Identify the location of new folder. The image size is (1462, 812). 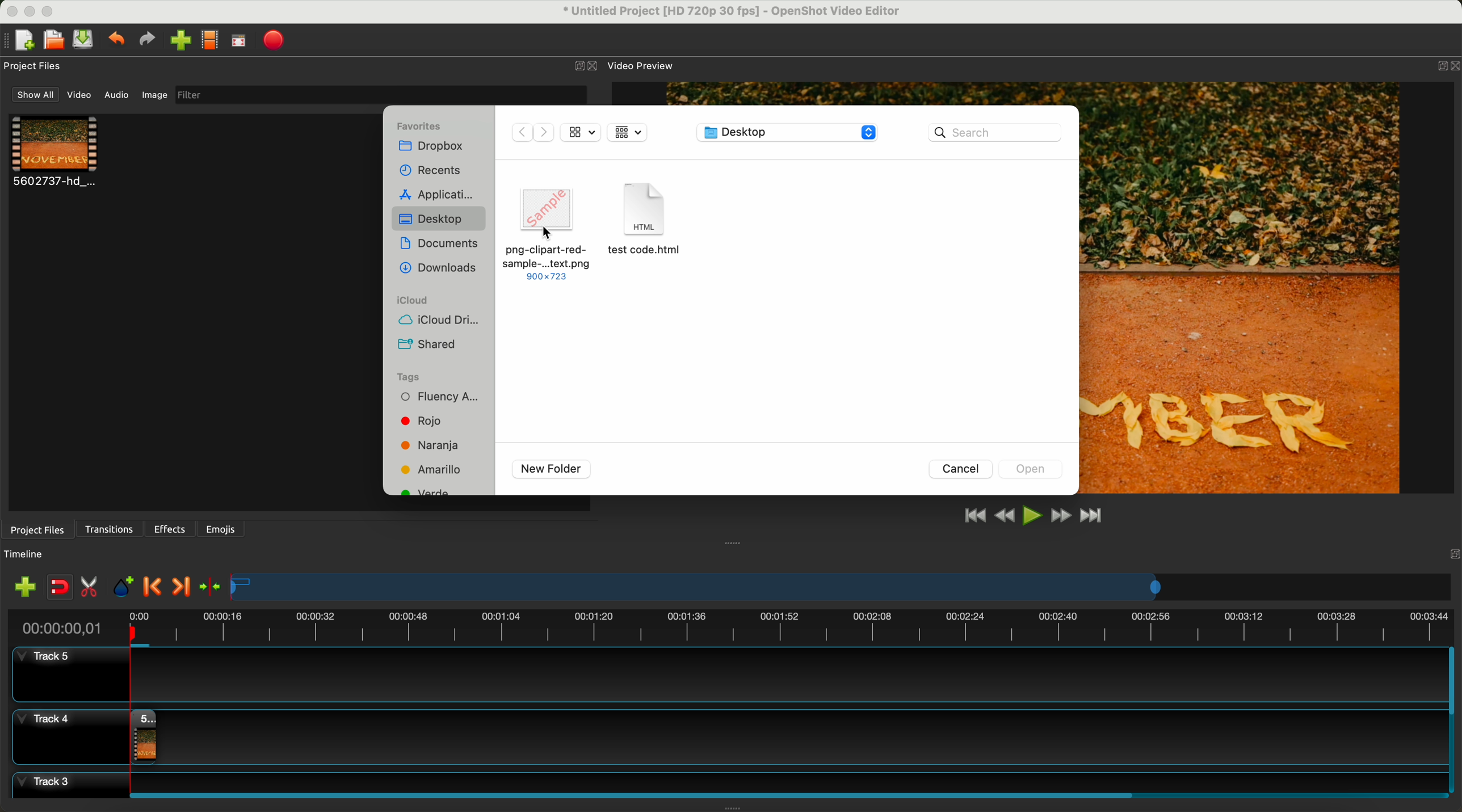
(552, 469).